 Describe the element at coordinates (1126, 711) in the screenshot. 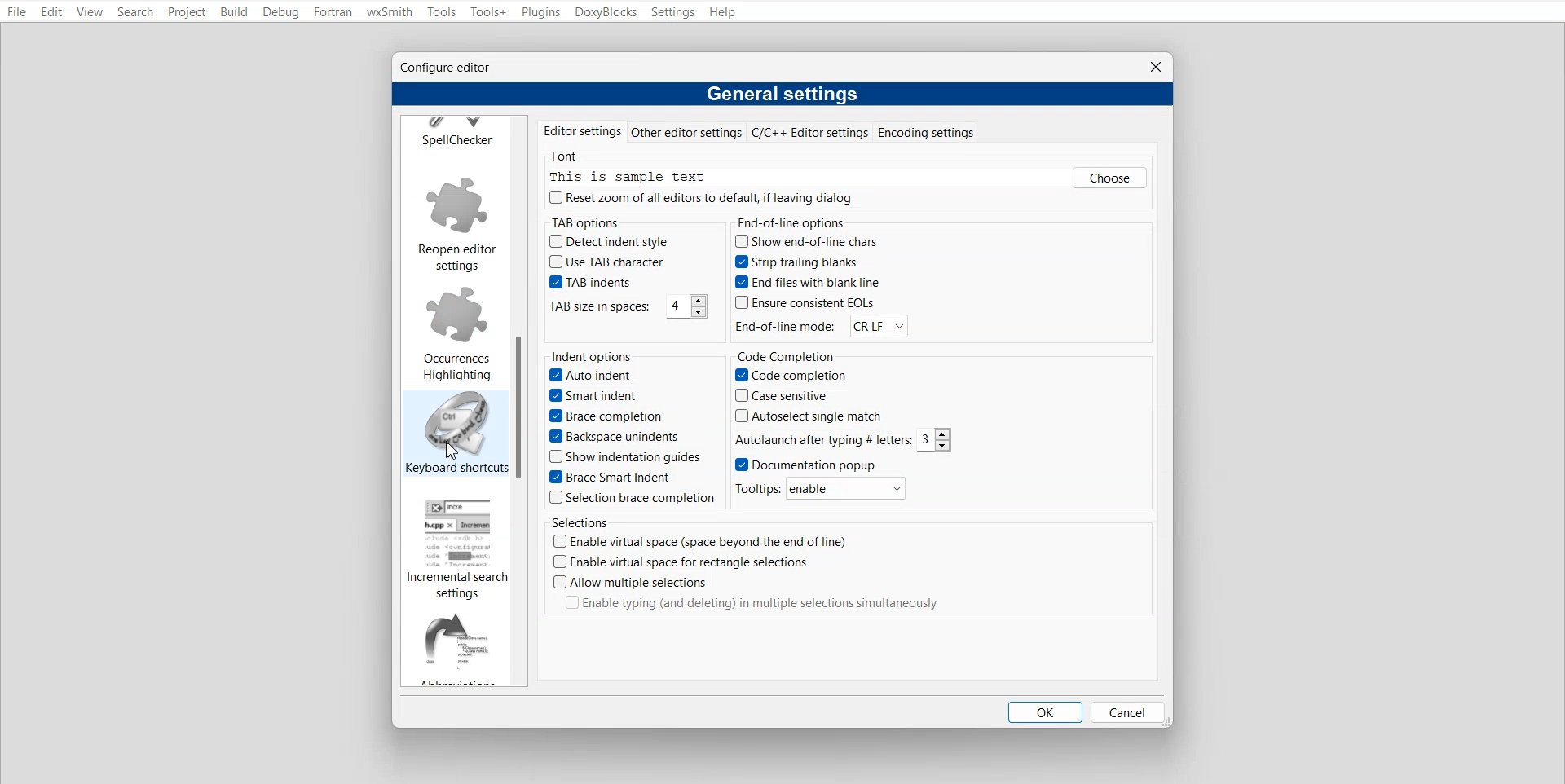

I see `Cancel` at that location.